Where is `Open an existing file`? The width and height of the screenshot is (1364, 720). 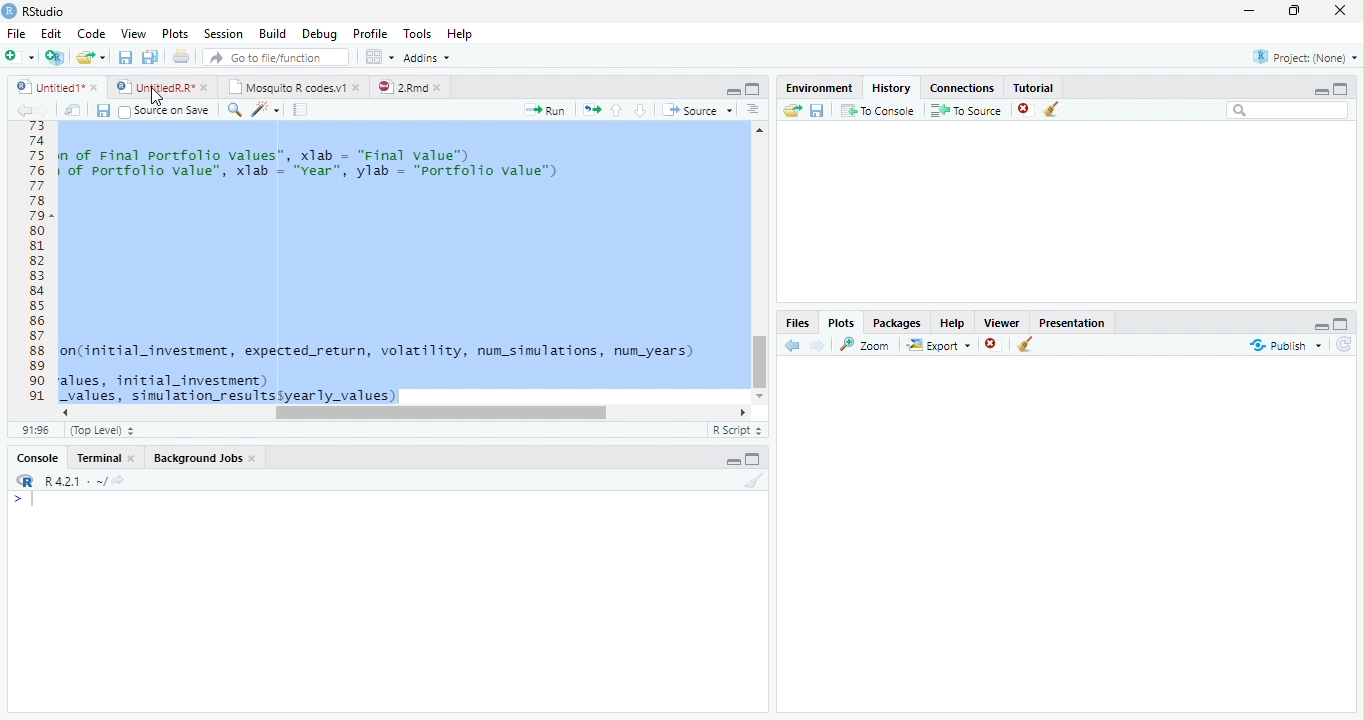 Open an existing file is located at coordinates (91, 56).